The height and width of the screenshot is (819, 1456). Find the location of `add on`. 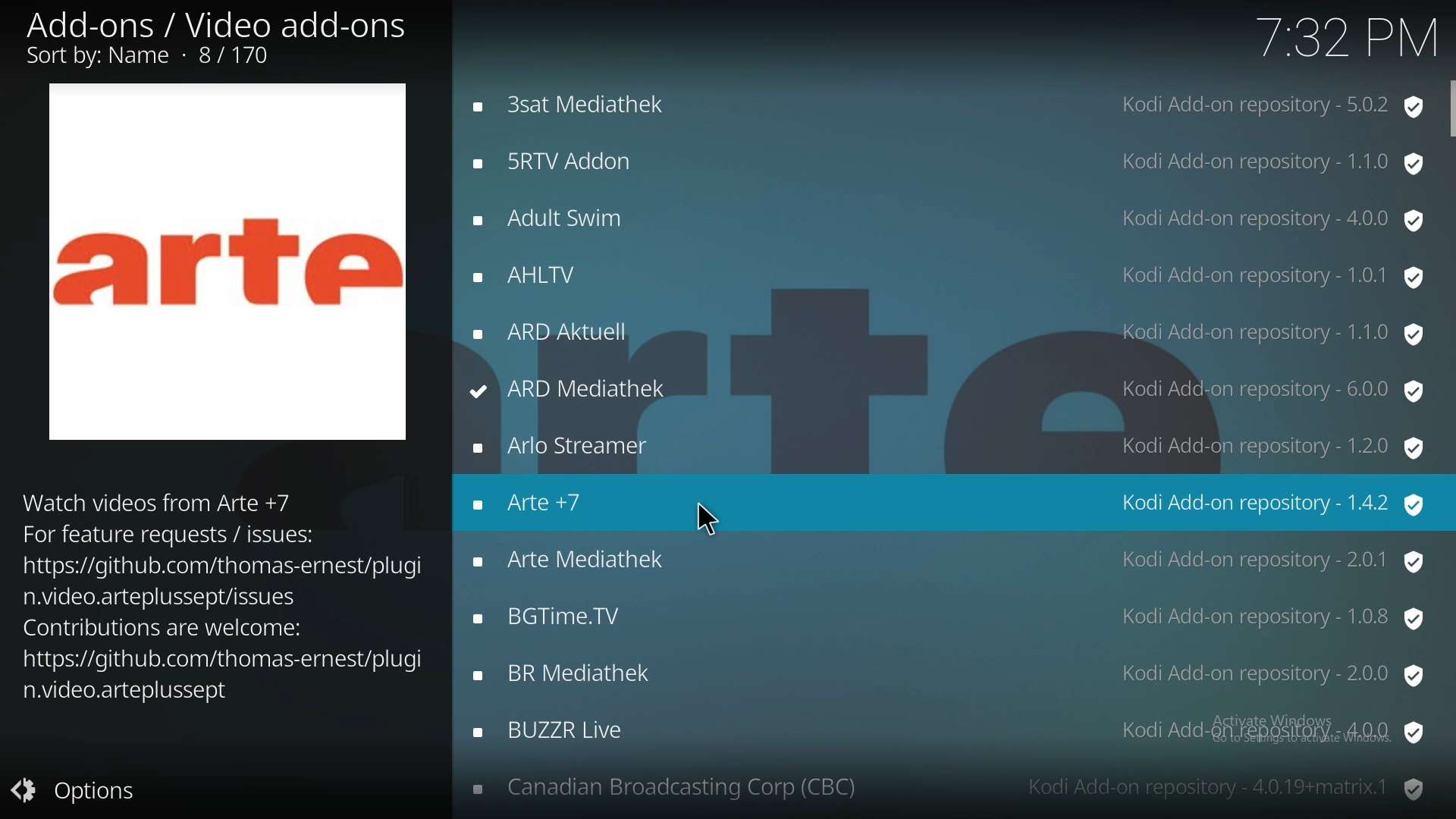

add on is located at coordinates (949, 160).